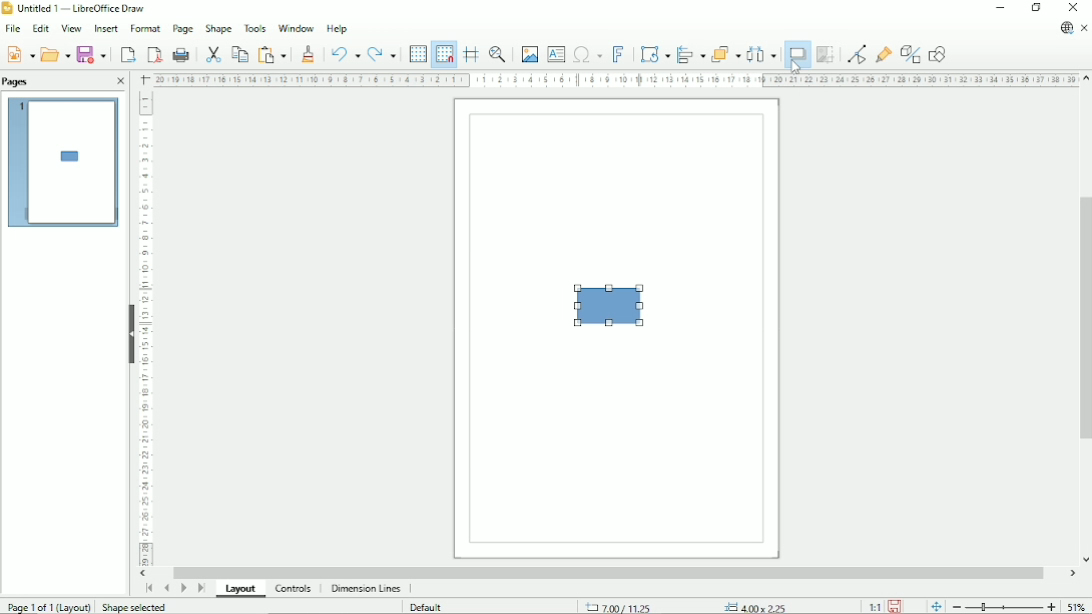 The width and height of the screenshot is (1092, 614). What do you see at coordinates (148, 588) in the screenshot?
I see `First page` at bounding box center [148, 588].